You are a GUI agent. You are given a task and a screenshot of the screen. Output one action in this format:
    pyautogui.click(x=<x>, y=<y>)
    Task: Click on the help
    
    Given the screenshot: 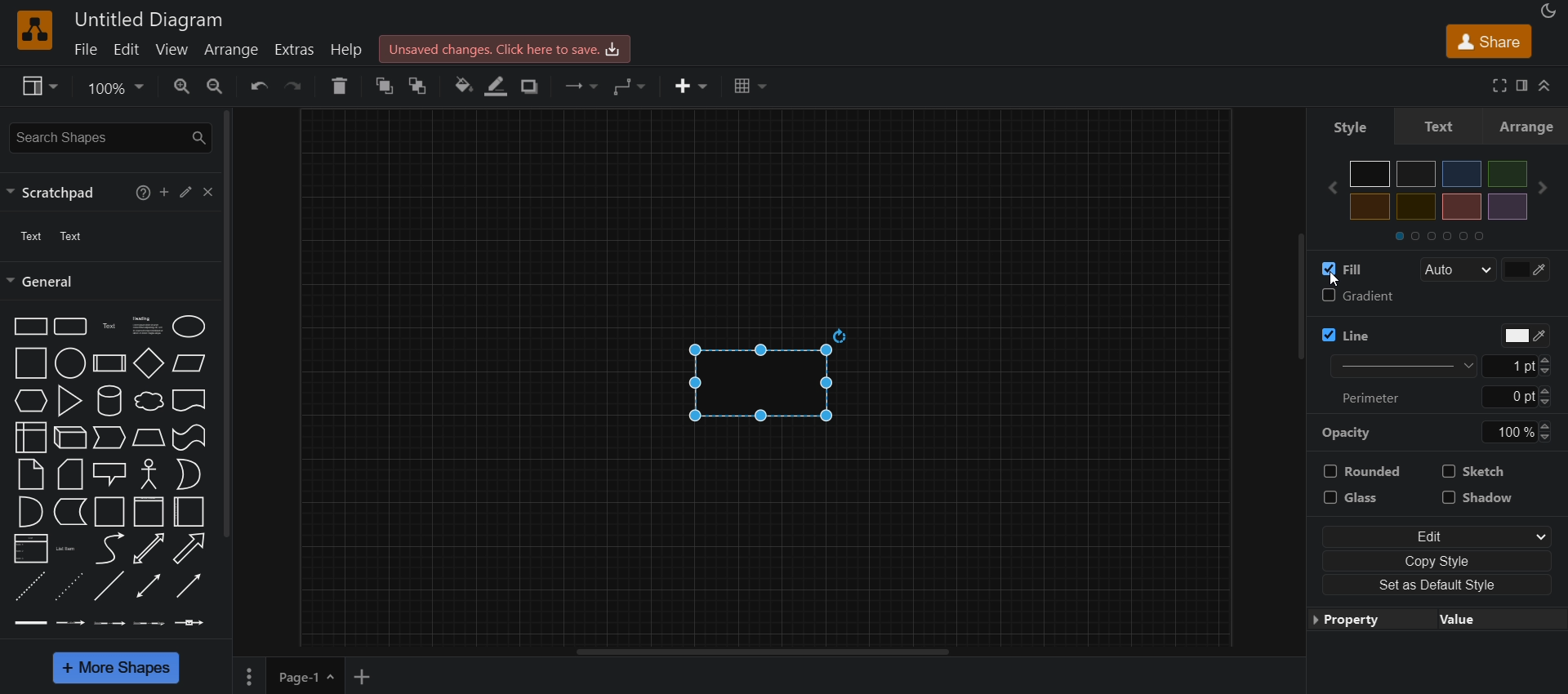 What is the action you would take?
    pyautogui.click(x=144, y=191)
    